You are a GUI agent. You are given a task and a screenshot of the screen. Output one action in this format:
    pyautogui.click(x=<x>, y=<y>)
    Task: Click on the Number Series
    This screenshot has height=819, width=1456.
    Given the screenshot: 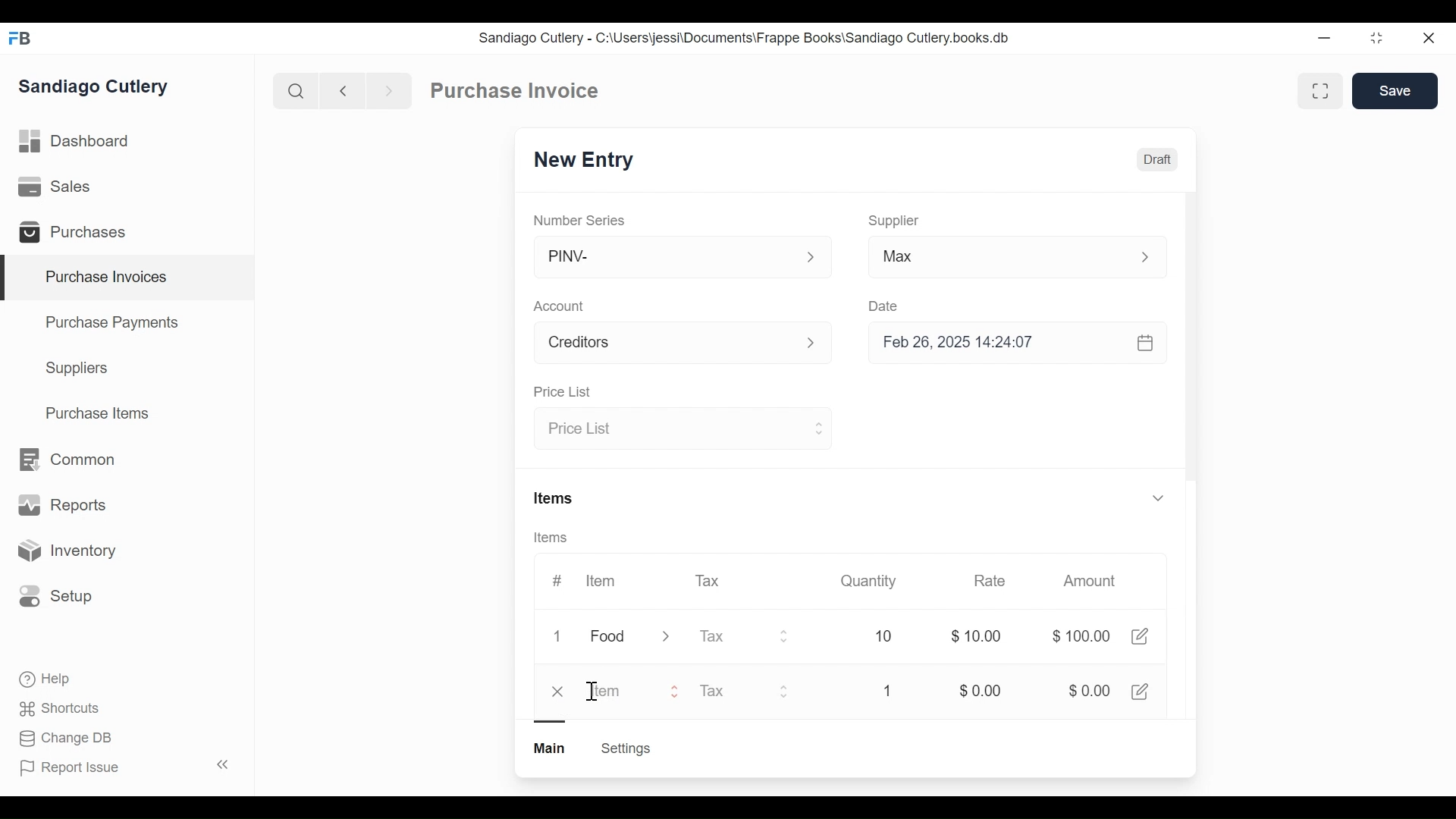 What is the action you would take?
    pyautogui.click(x=581, y=220)
    